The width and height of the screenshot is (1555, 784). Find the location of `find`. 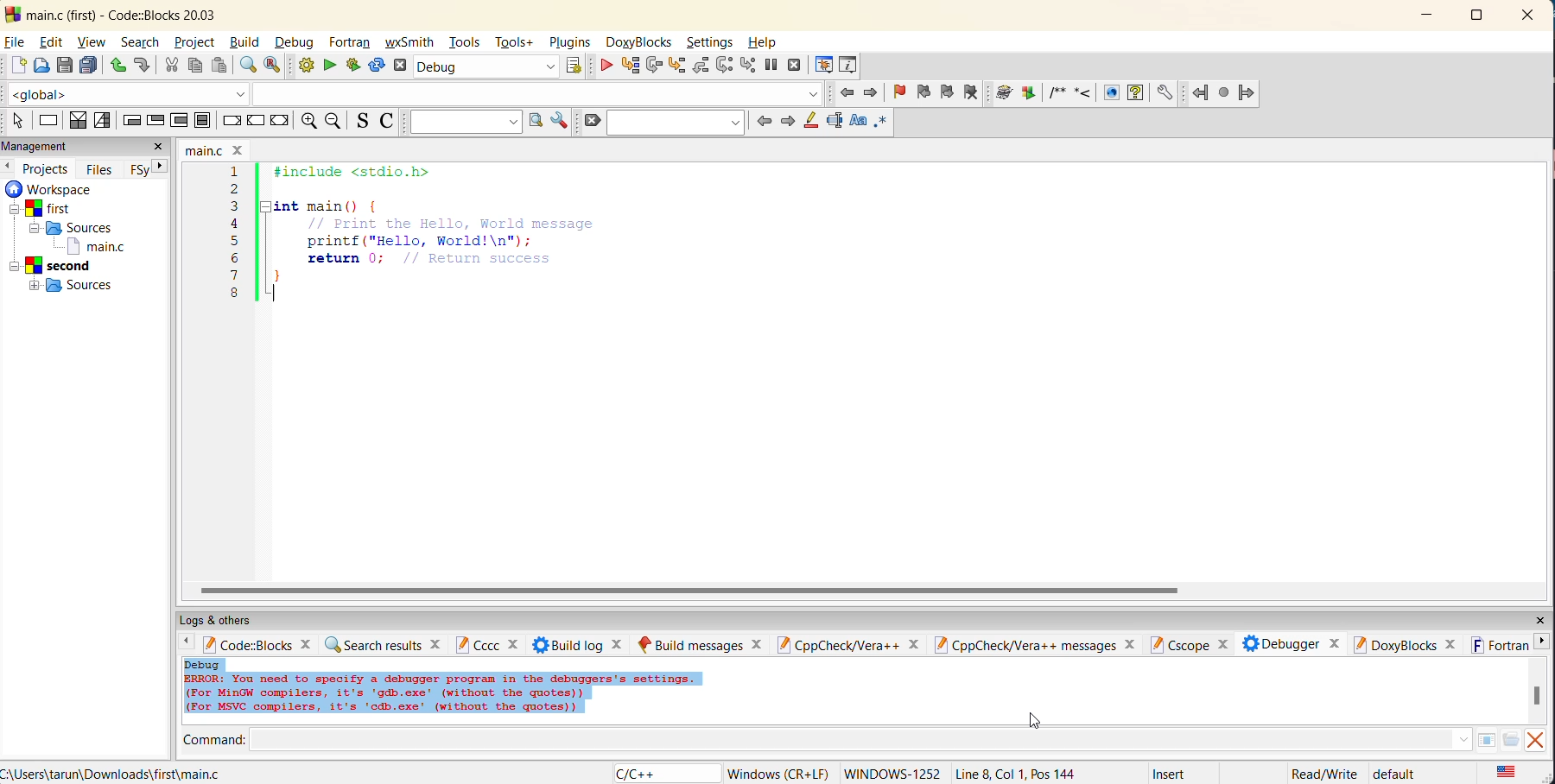

find is located at coordinates (247, 67).